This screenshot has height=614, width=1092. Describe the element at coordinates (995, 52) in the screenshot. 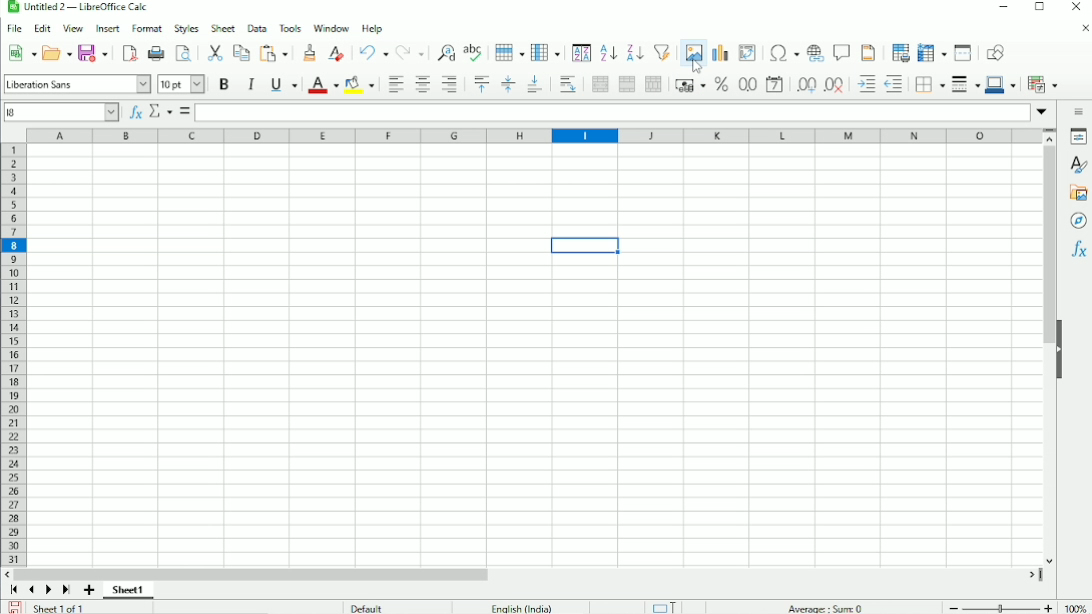

I see `Show draw functions` at that location.